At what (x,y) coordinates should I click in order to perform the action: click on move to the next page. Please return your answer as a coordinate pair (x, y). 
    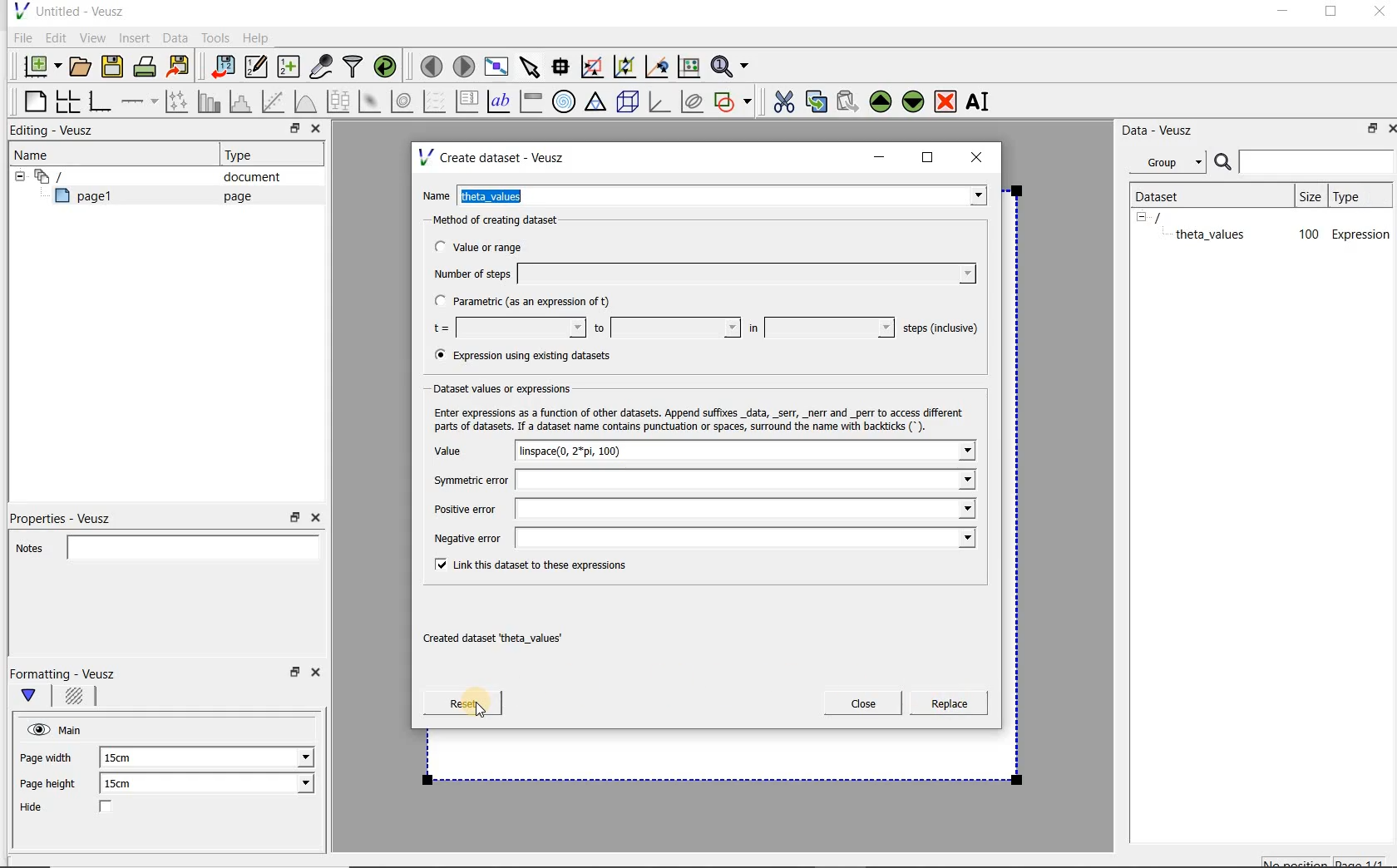
    Looking at the image, I should click on (464, 67).